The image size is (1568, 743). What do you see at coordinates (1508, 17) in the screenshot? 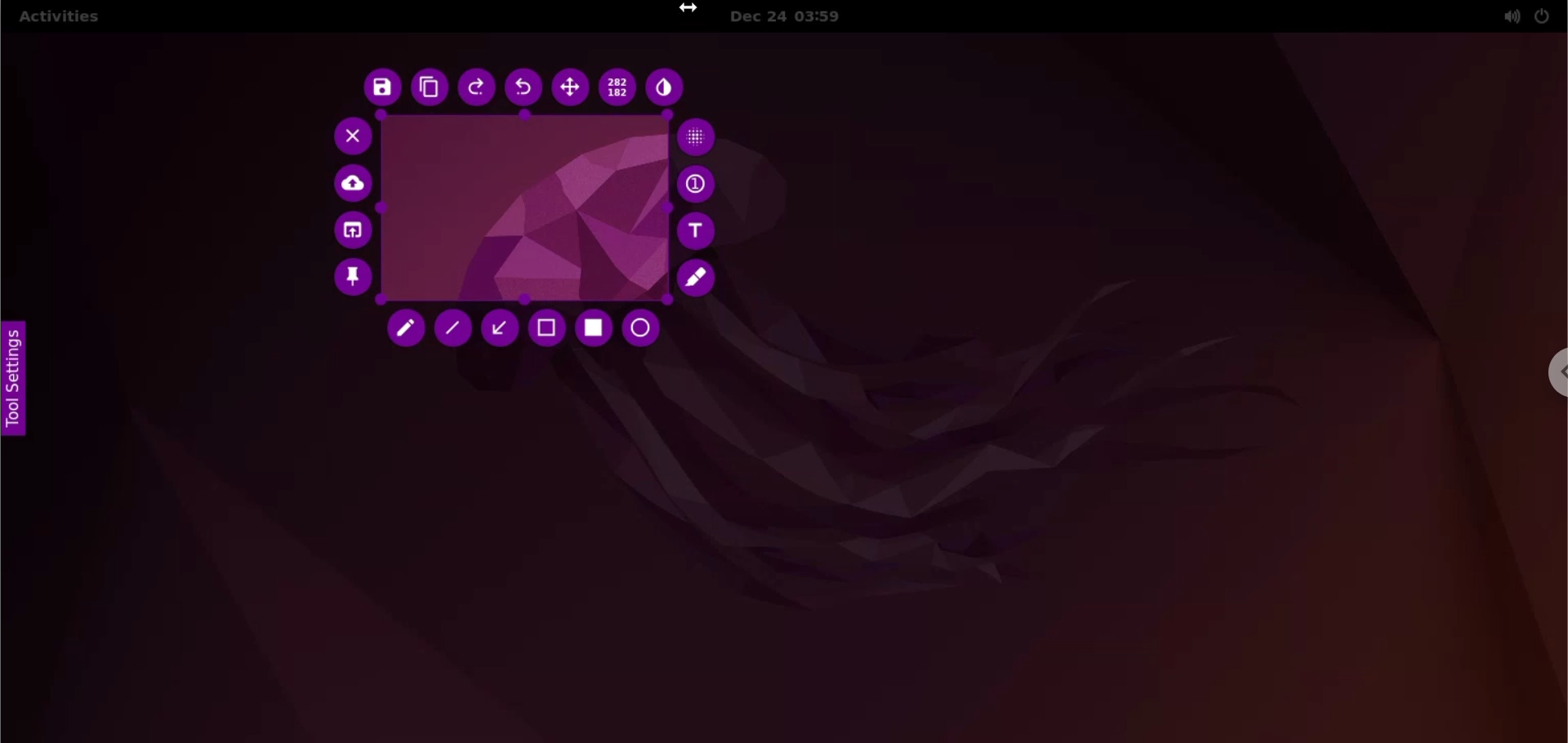
I see `sound options ` at bounding box center [1508, 17].